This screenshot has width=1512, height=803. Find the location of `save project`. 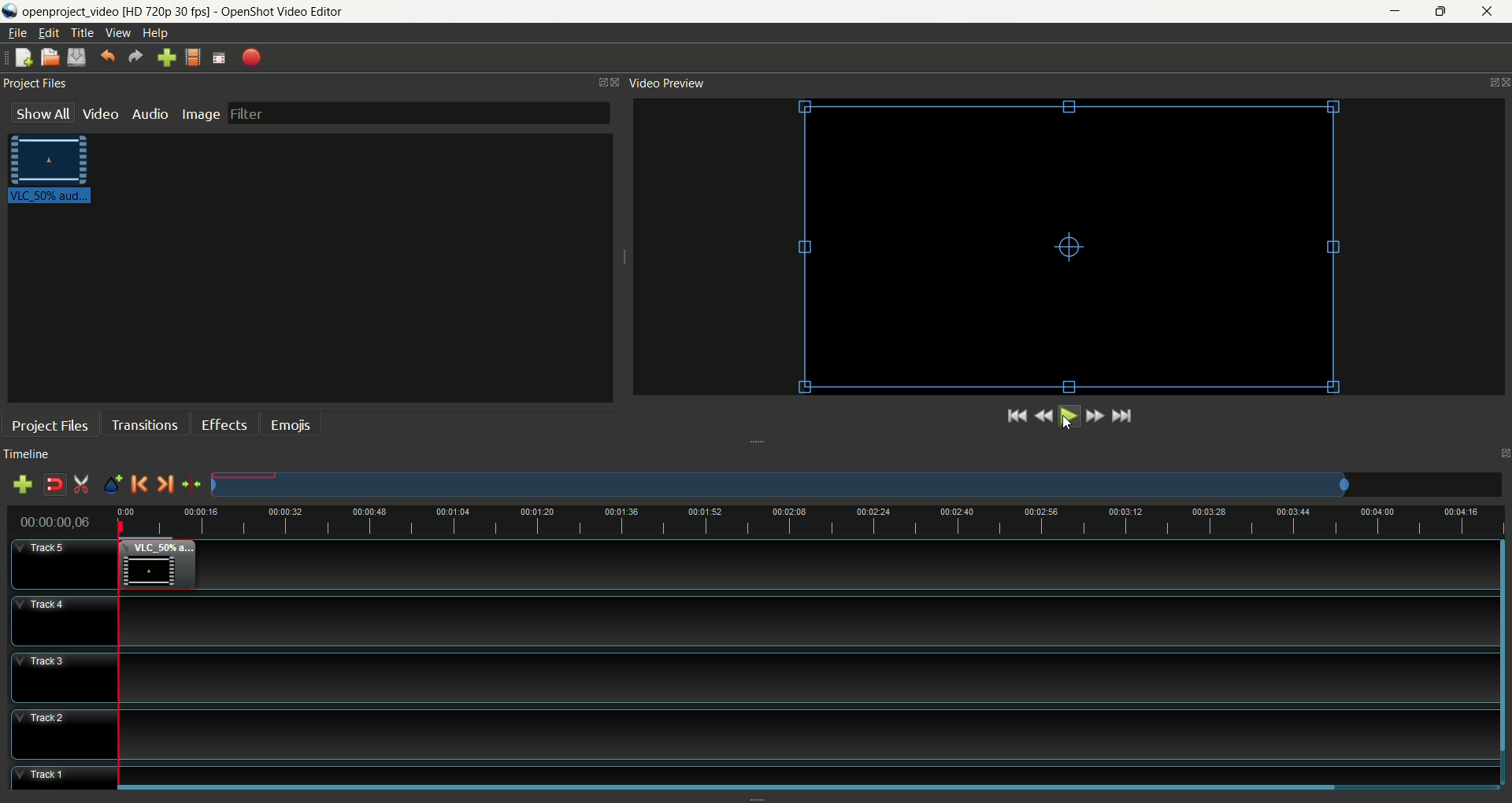

save project is located at coordinates (76, 57).